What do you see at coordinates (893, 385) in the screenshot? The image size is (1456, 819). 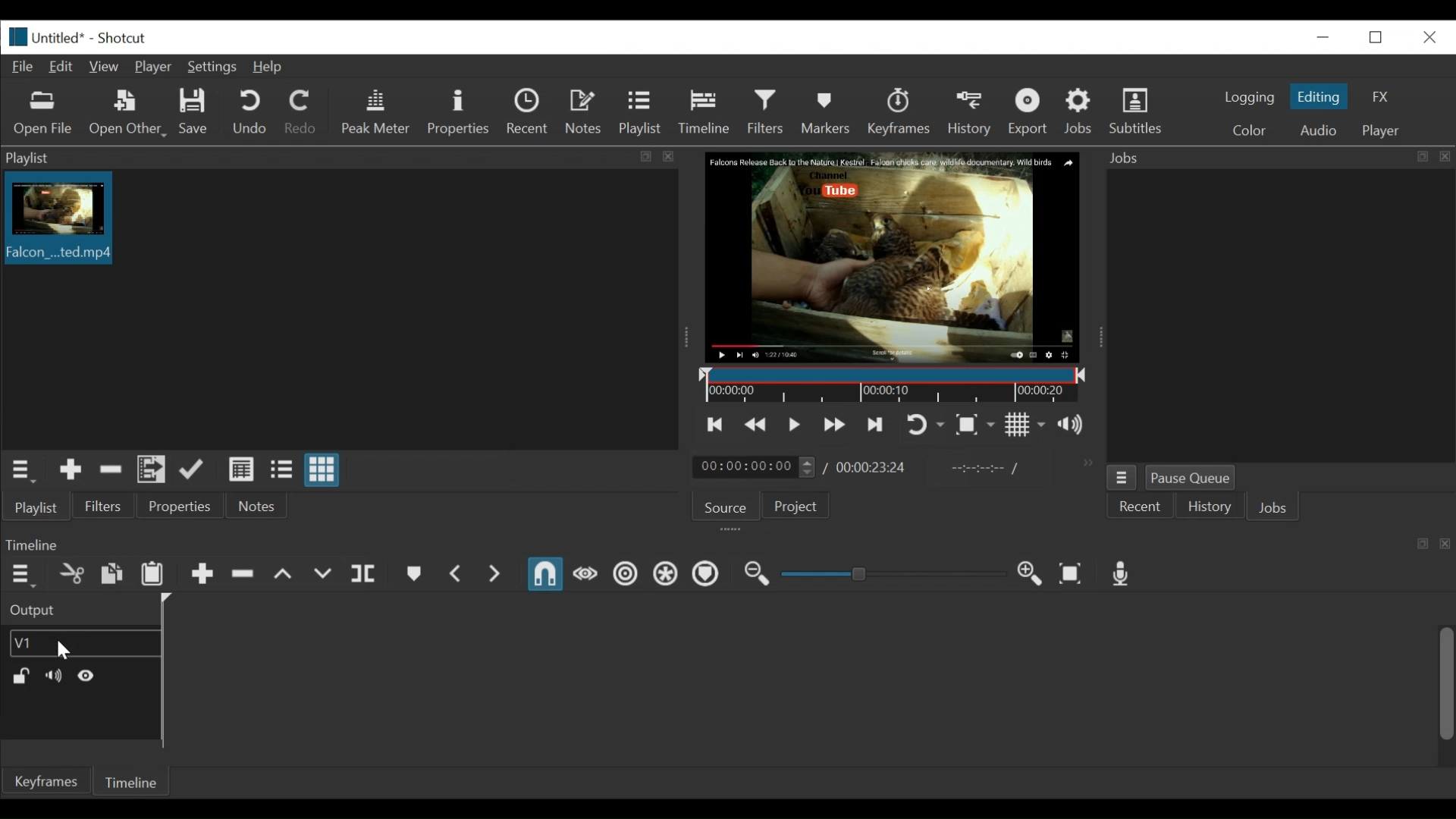 I see `Timeline` at bounding box center [893, 385].